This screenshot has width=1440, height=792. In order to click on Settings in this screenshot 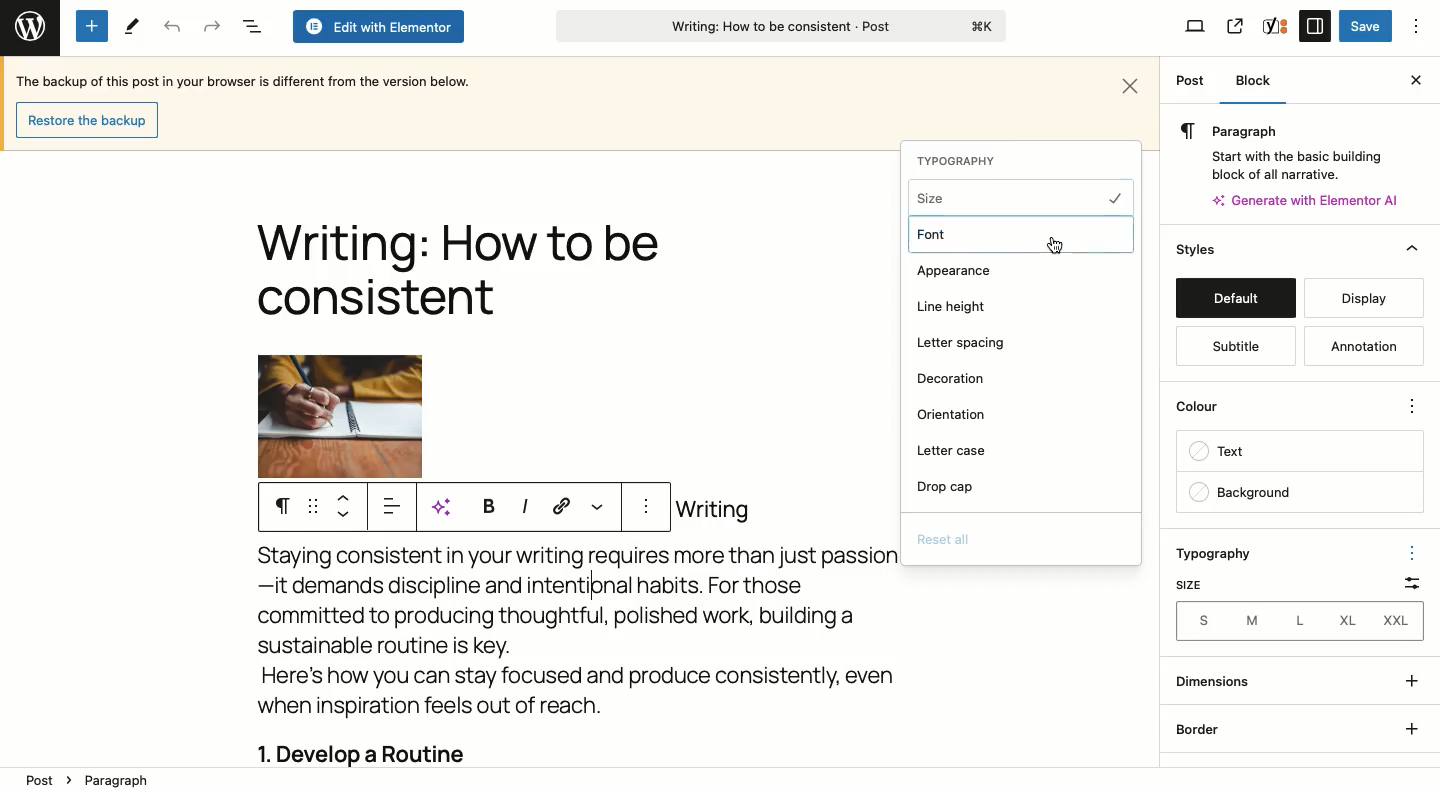, I will do `click(1314, 25)`.